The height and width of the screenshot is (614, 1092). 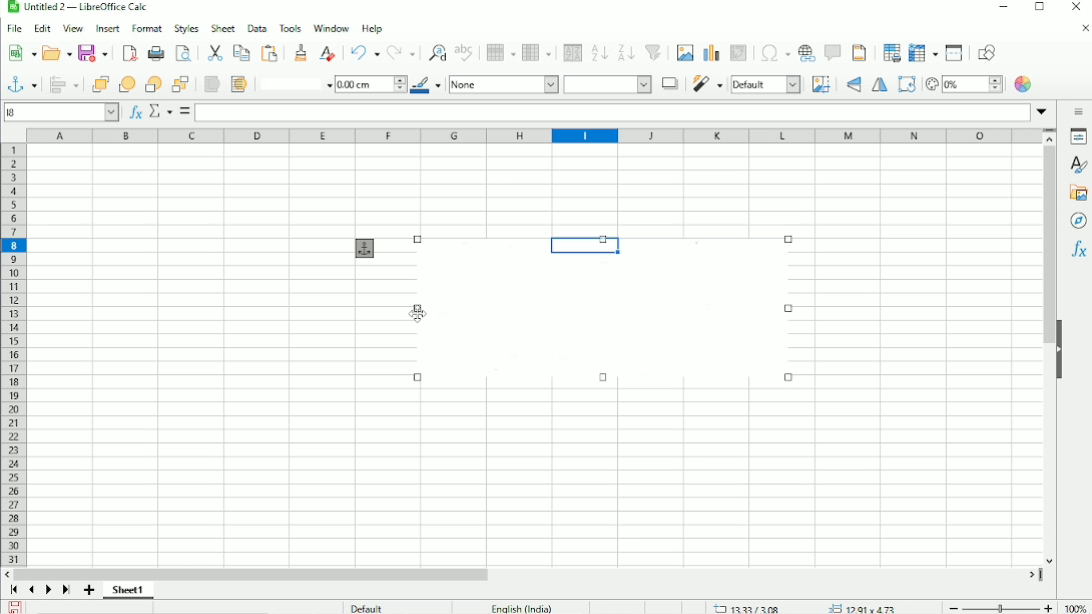 What do you see at coordinates (1077, 193) in the screenshot?
I see `Gallery` at bounding box center [1077, 193].